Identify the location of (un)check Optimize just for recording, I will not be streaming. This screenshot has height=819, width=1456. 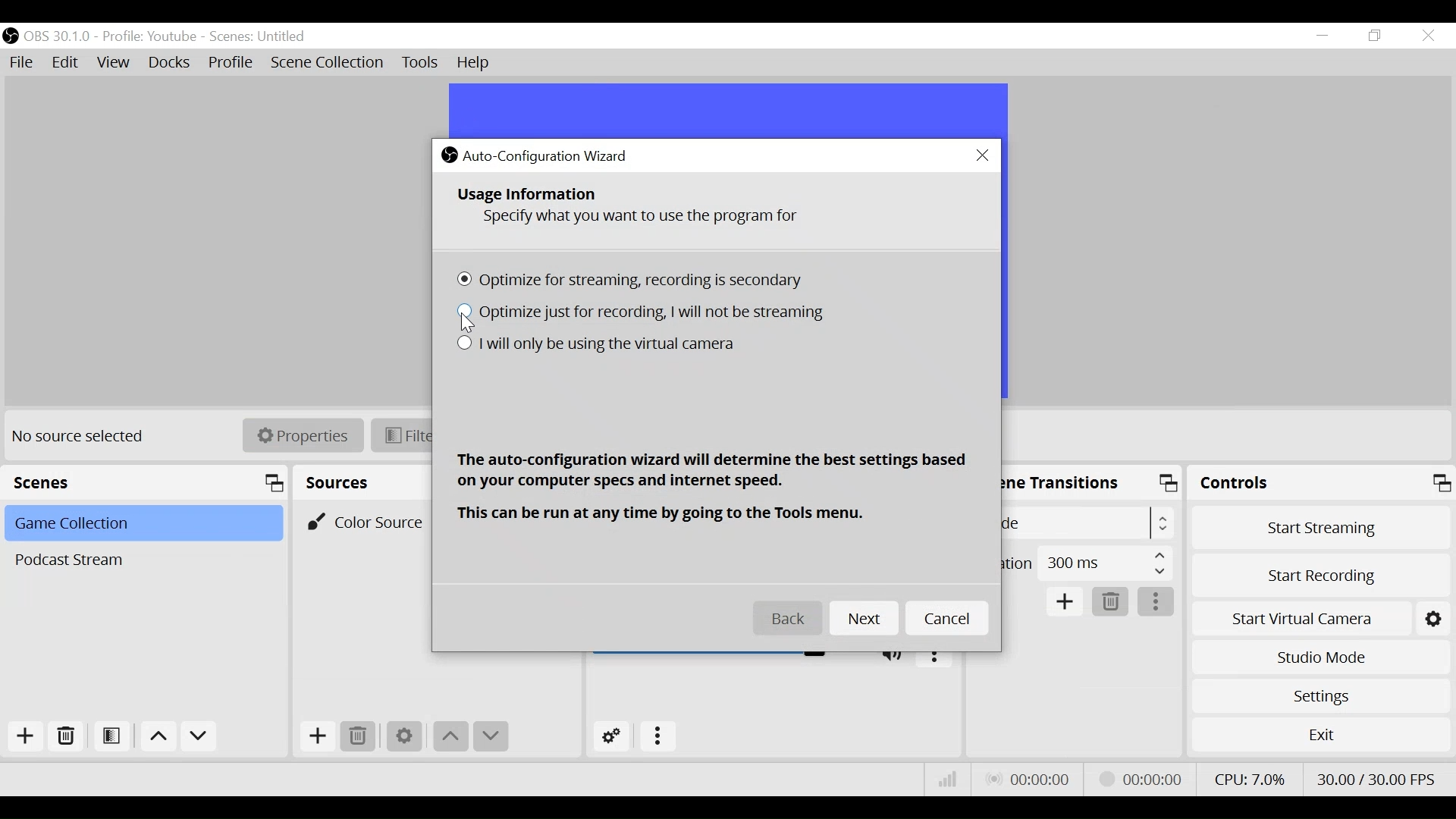
(645, 313).